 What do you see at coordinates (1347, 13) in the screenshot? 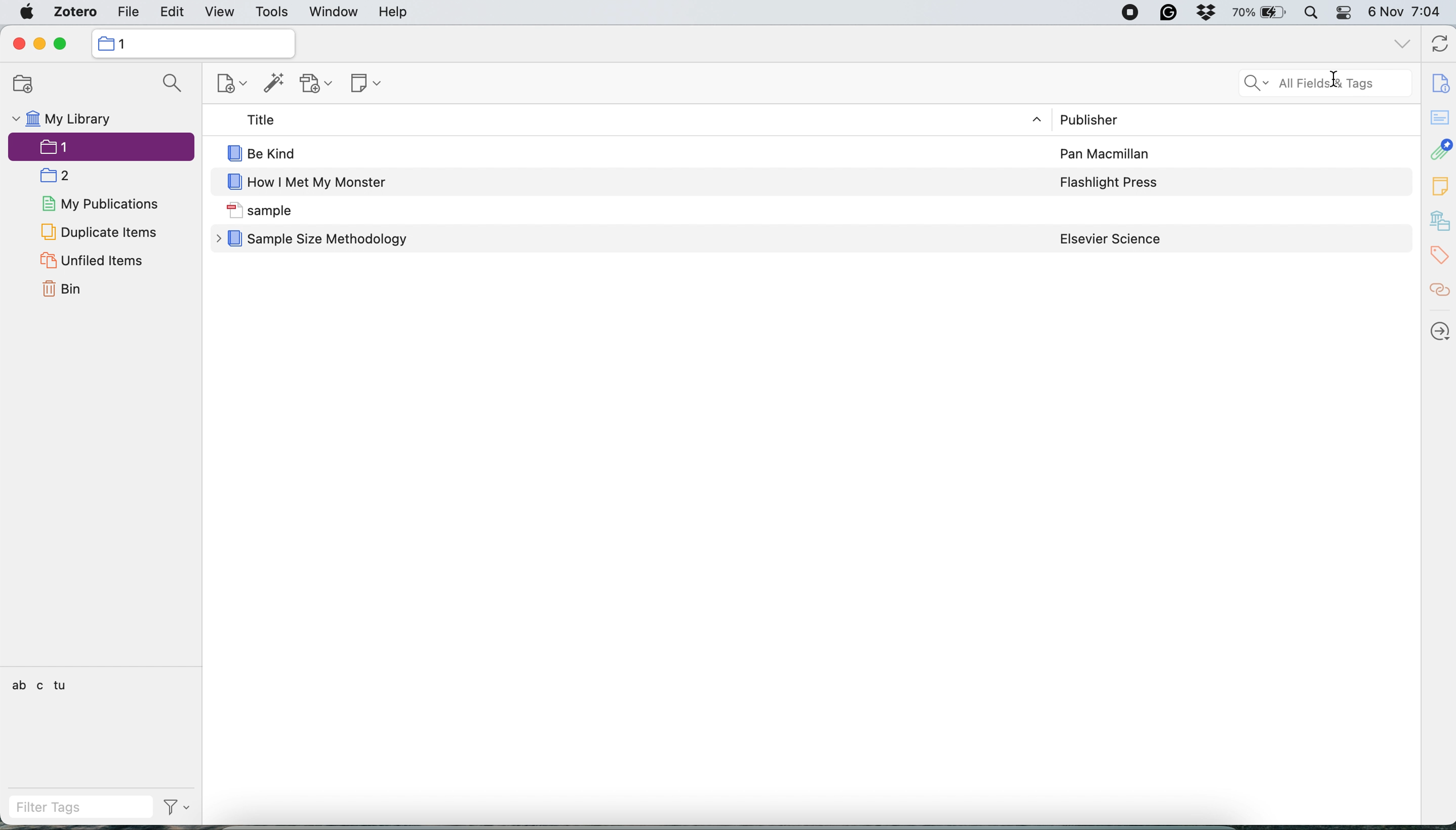
I see `control center` at bounding box center [1347, 13].